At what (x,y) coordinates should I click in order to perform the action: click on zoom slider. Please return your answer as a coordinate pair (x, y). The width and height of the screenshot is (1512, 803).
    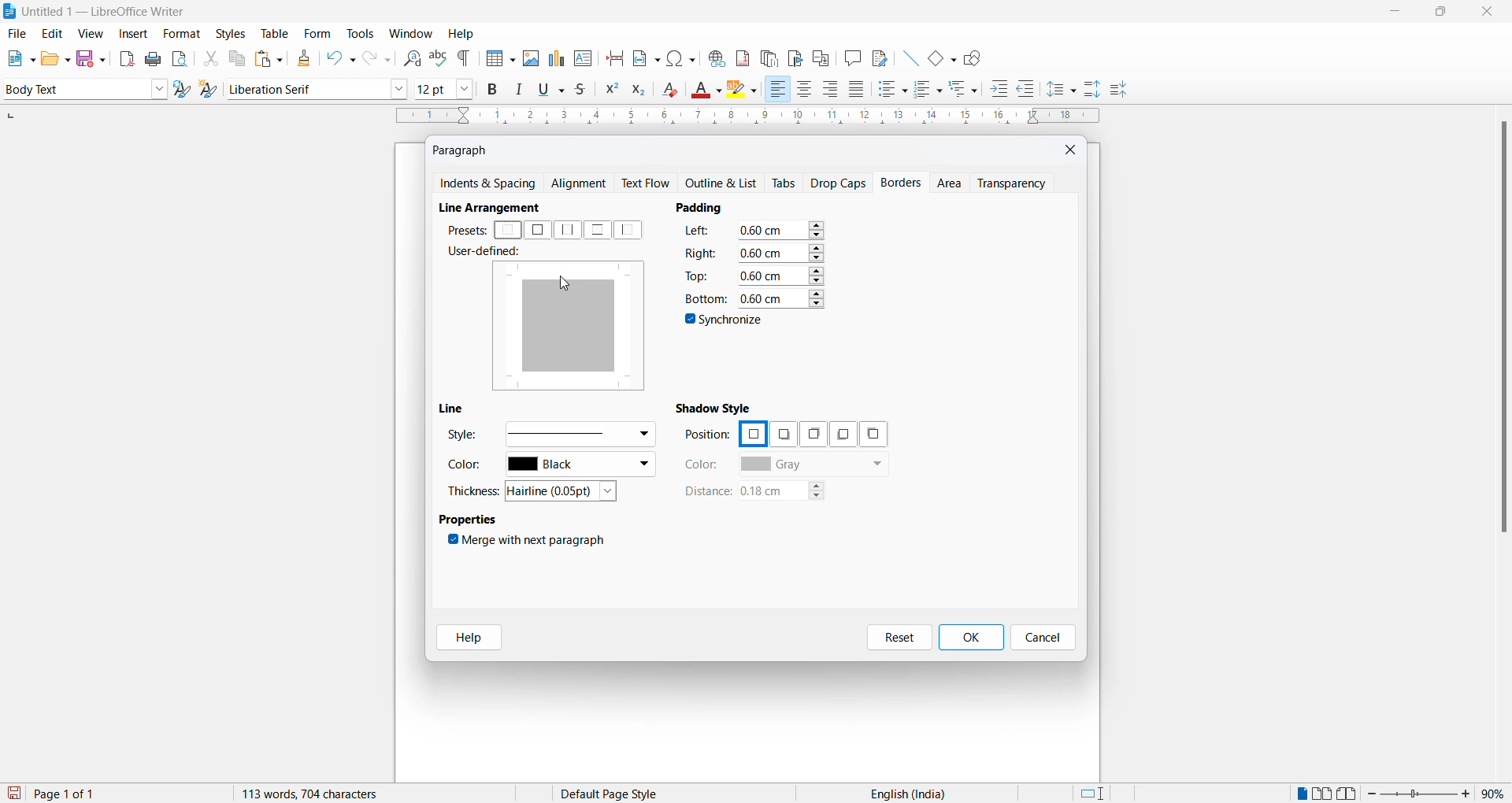
    Looking at the image, I should click on (1421, 794).